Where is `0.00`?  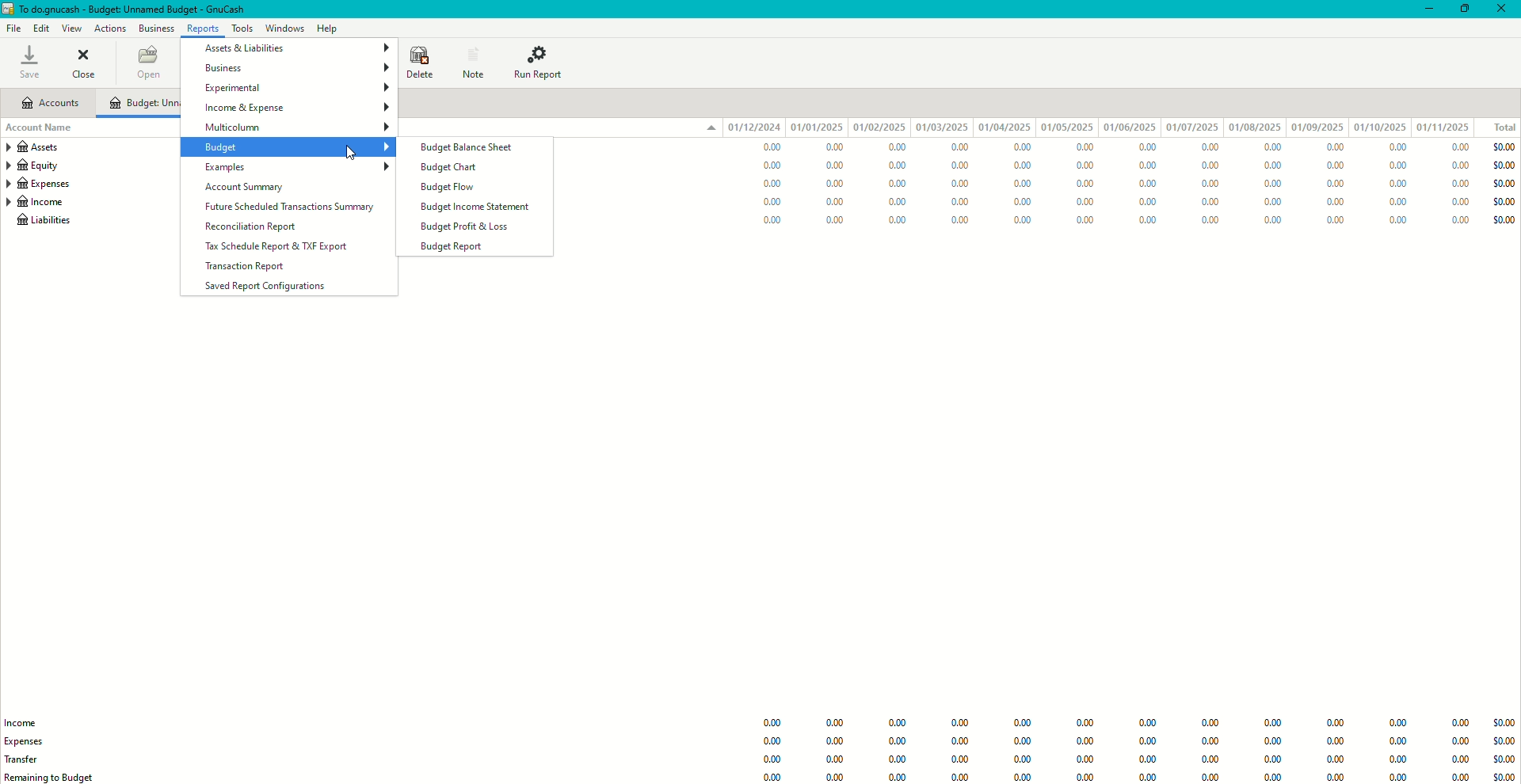
0.00 is located at coordinates (898, 218).